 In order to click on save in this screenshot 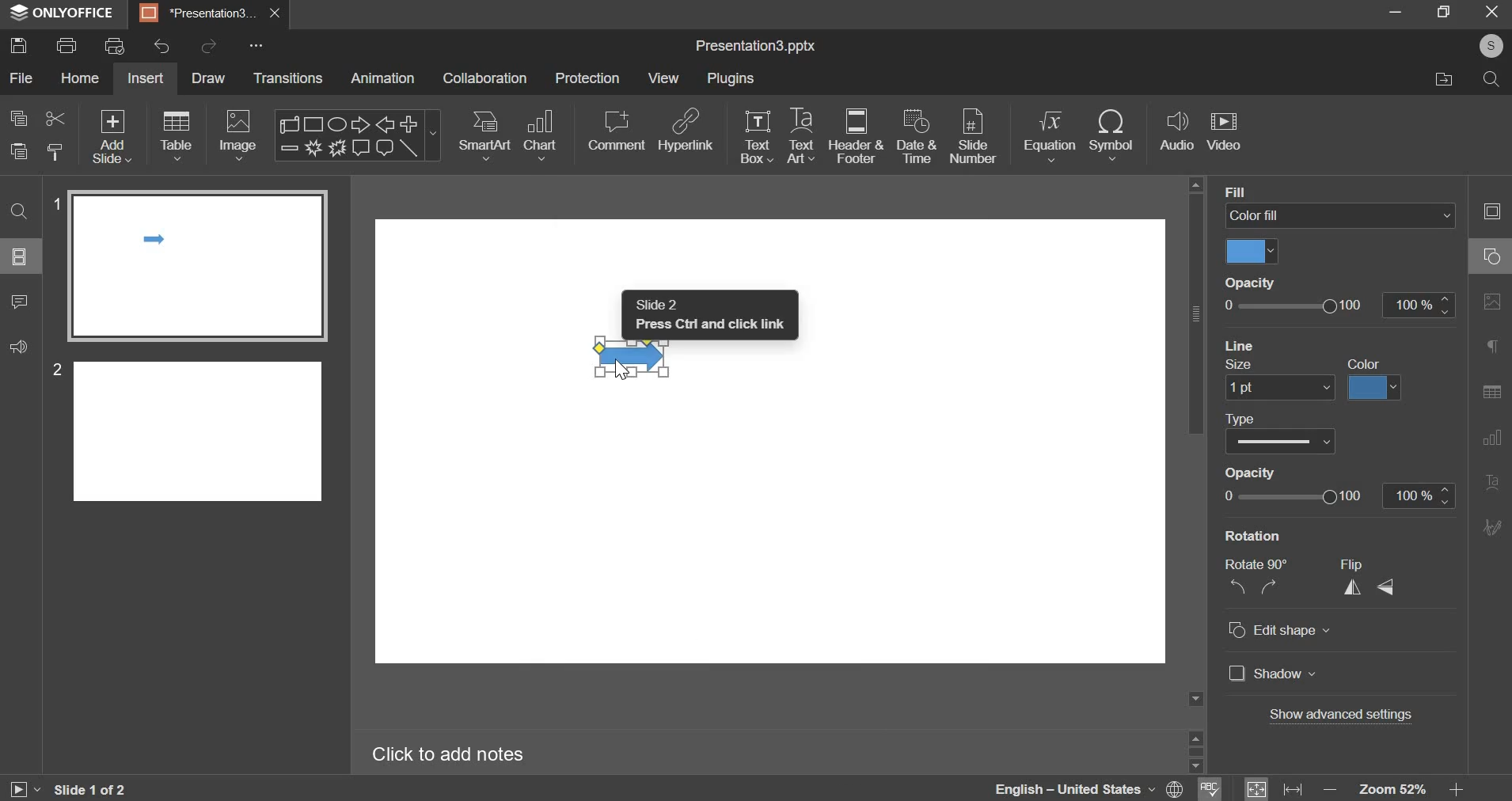, I will do `click(19, 44)`.